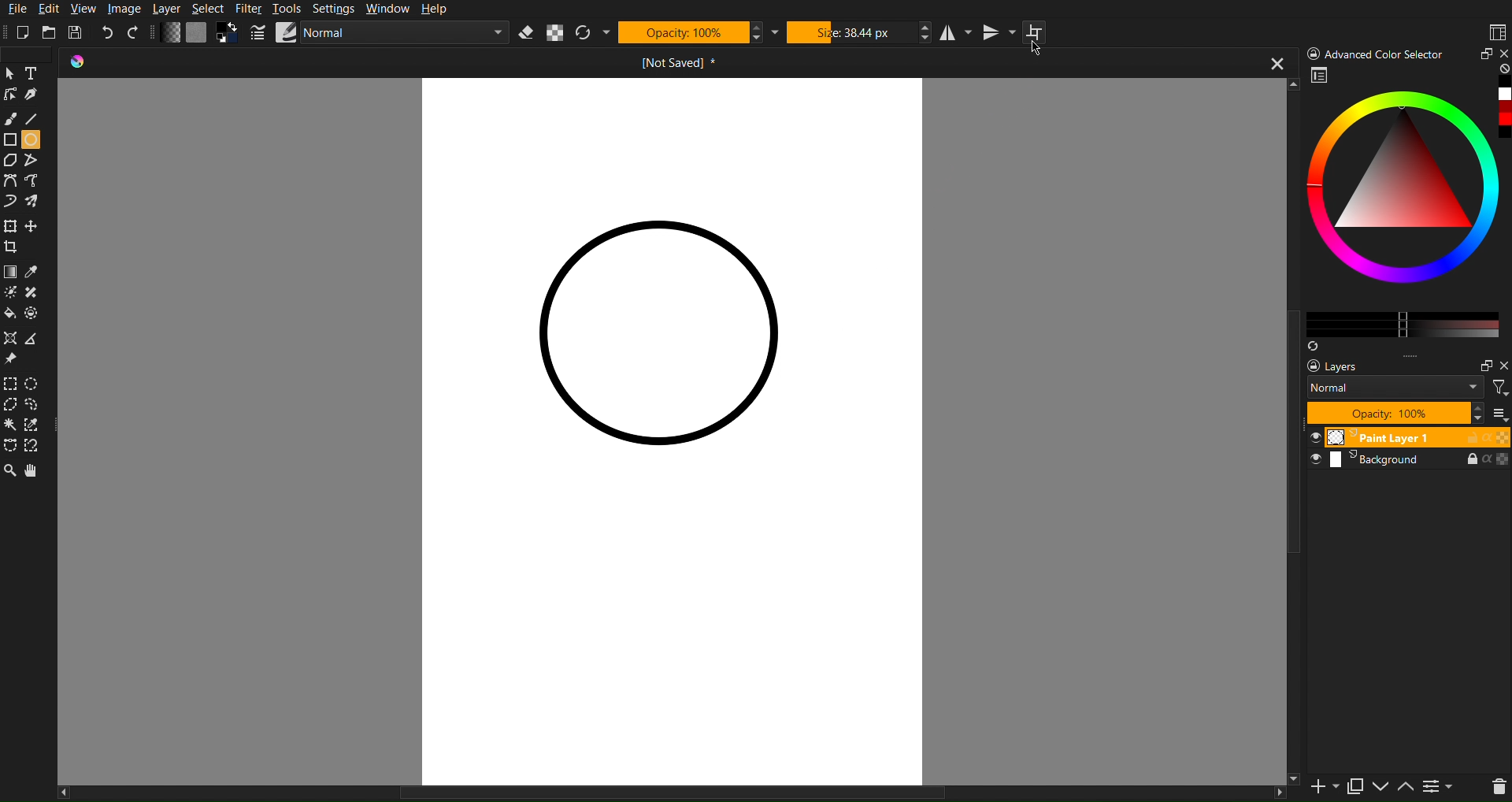 This screenshot has width=1512, height=802. What do you see at coordinates (1321, 789) in the screenshot?
I see `new` at bounding box center [1321, 789].